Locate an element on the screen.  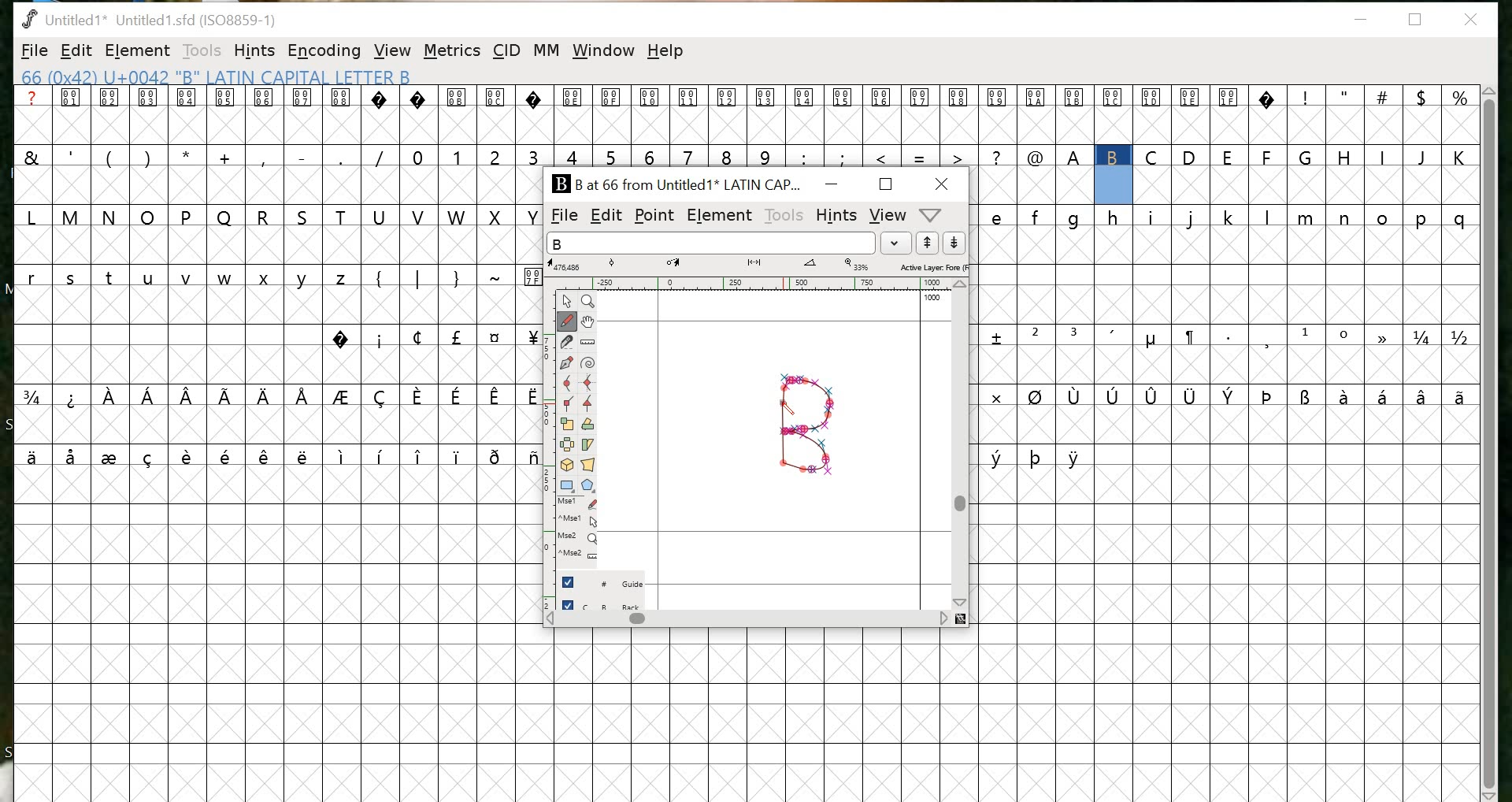
Flip is located at coordinates (568, 447).